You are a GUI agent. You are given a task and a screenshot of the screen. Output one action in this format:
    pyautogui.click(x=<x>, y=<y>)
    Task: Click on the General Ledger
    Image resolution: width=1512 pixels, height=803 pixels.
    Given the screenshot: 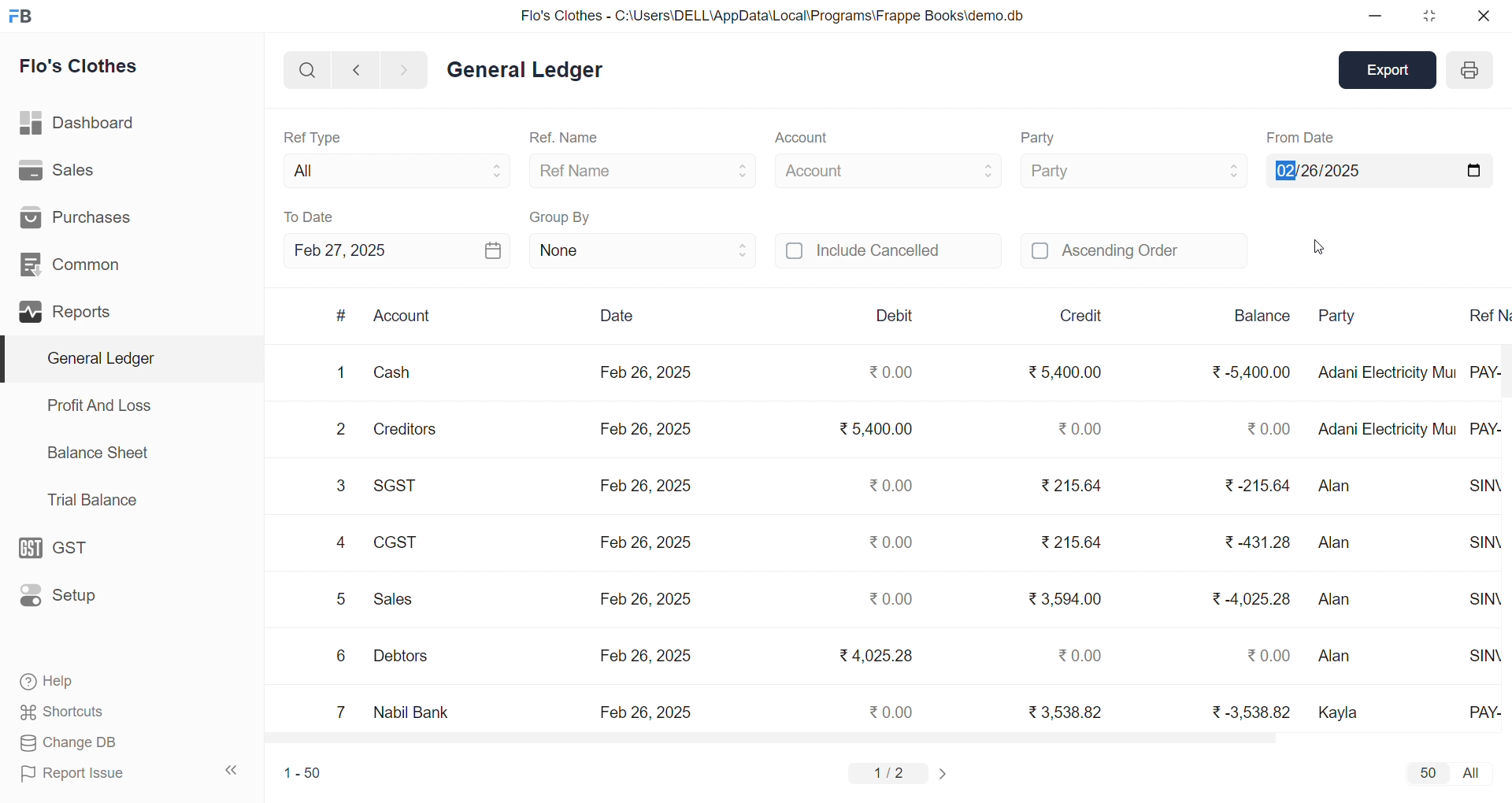 What is the action you would take?
    pyautogui.click(x=127, y=358)
    